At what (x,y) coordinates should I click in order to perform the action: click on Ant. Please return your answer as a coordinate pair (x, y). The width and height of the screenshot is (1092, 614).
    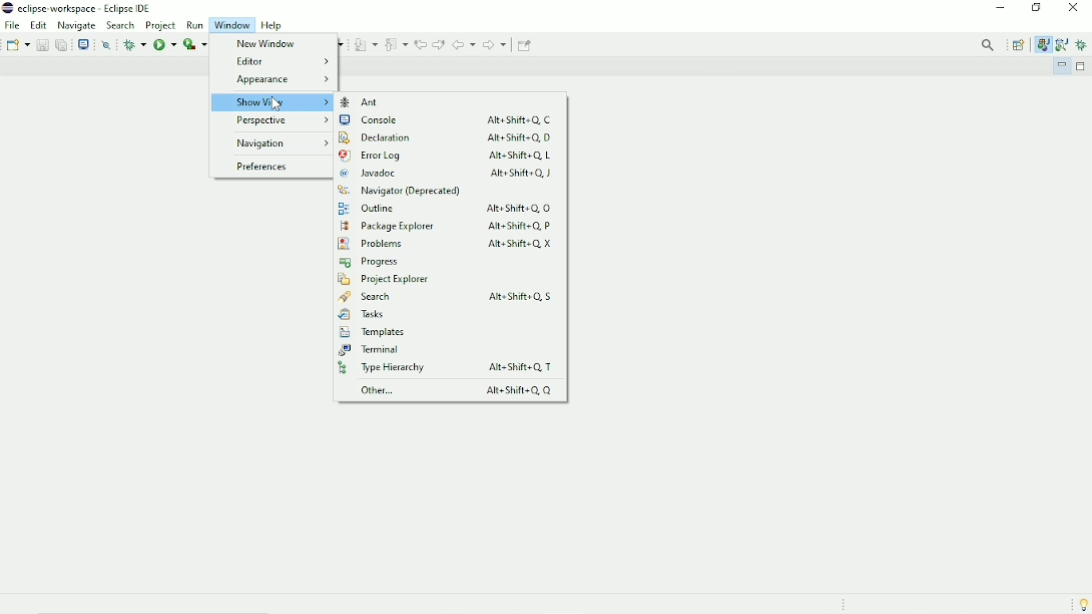
    Looking at the image, I should click on (369, 102).